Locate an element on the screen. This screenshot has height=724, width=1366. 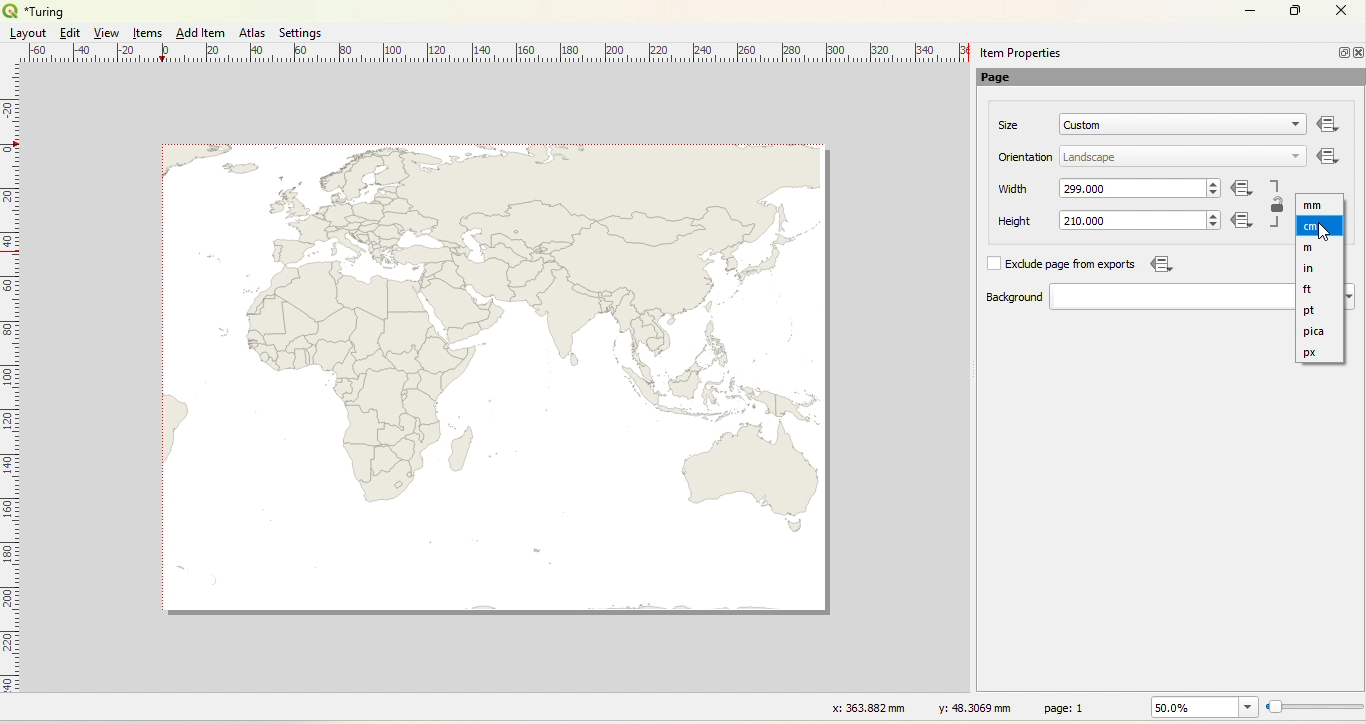
decrease is located at coordinates (1211, 226).